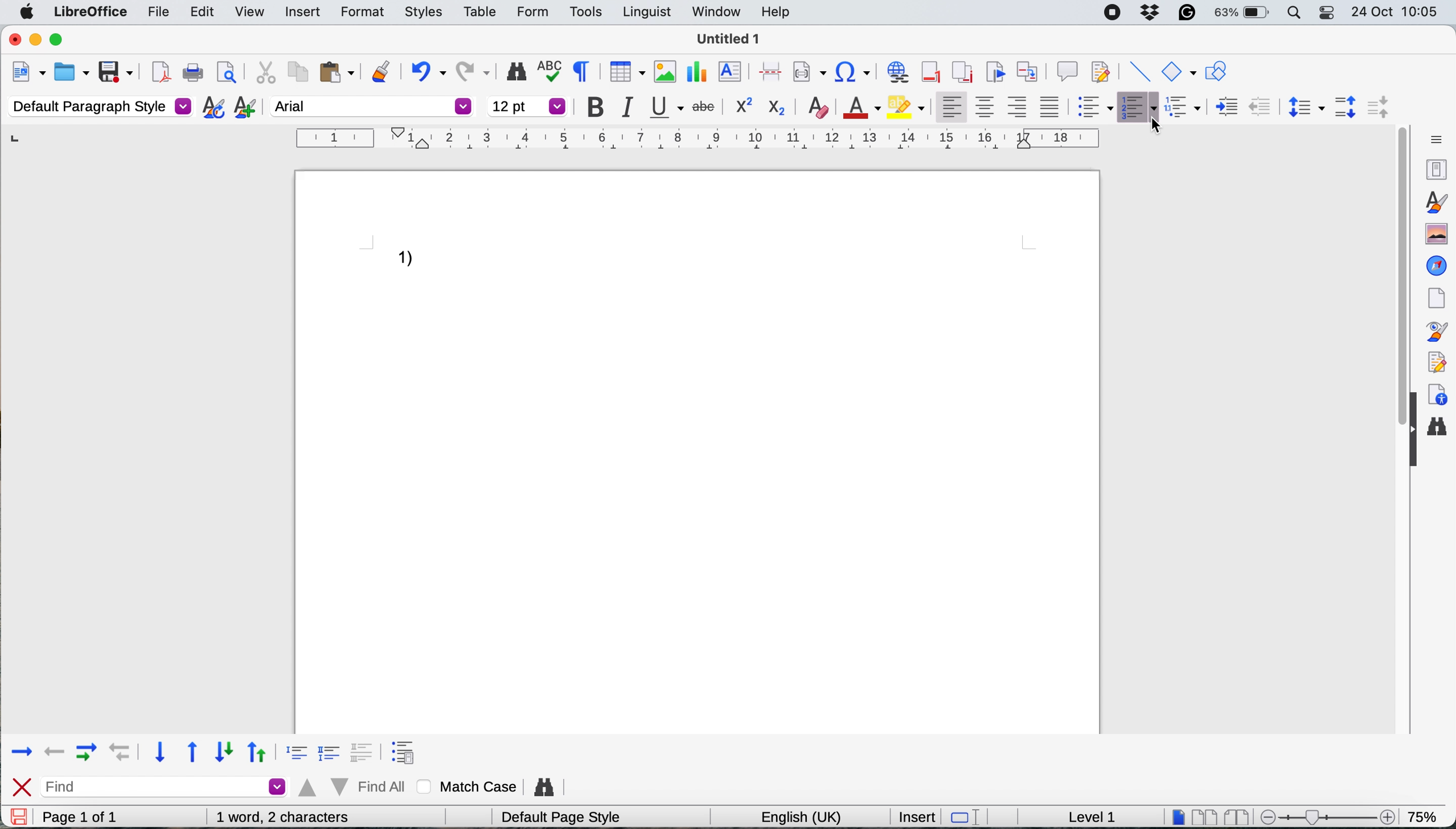 This screenshot has width=1456, height=829. I want to click on collapse, so click(1412, 449).